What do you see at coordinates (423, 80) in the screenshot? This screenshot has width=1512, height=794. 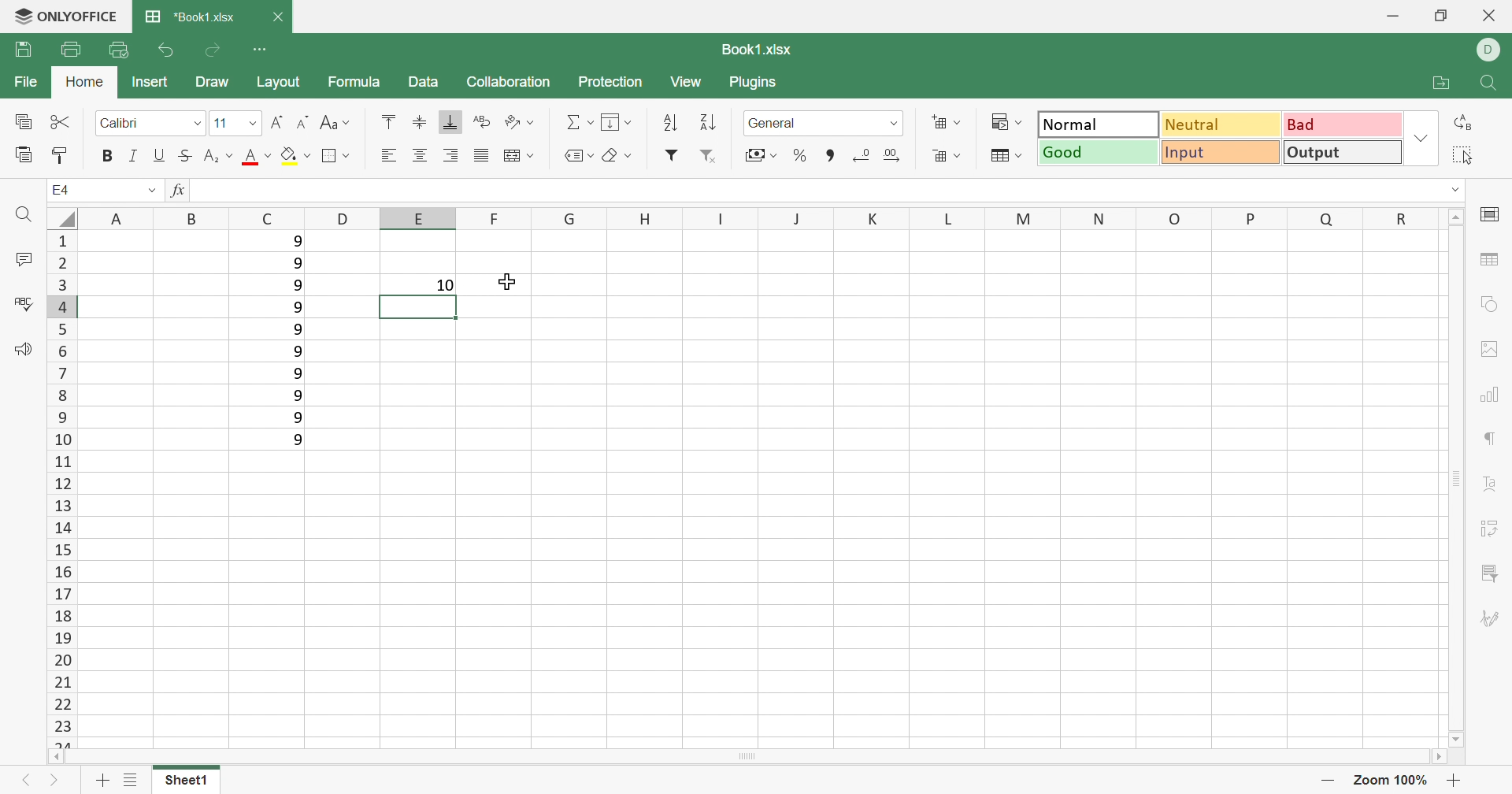 I see `Data` at bounding box center [423, 80].